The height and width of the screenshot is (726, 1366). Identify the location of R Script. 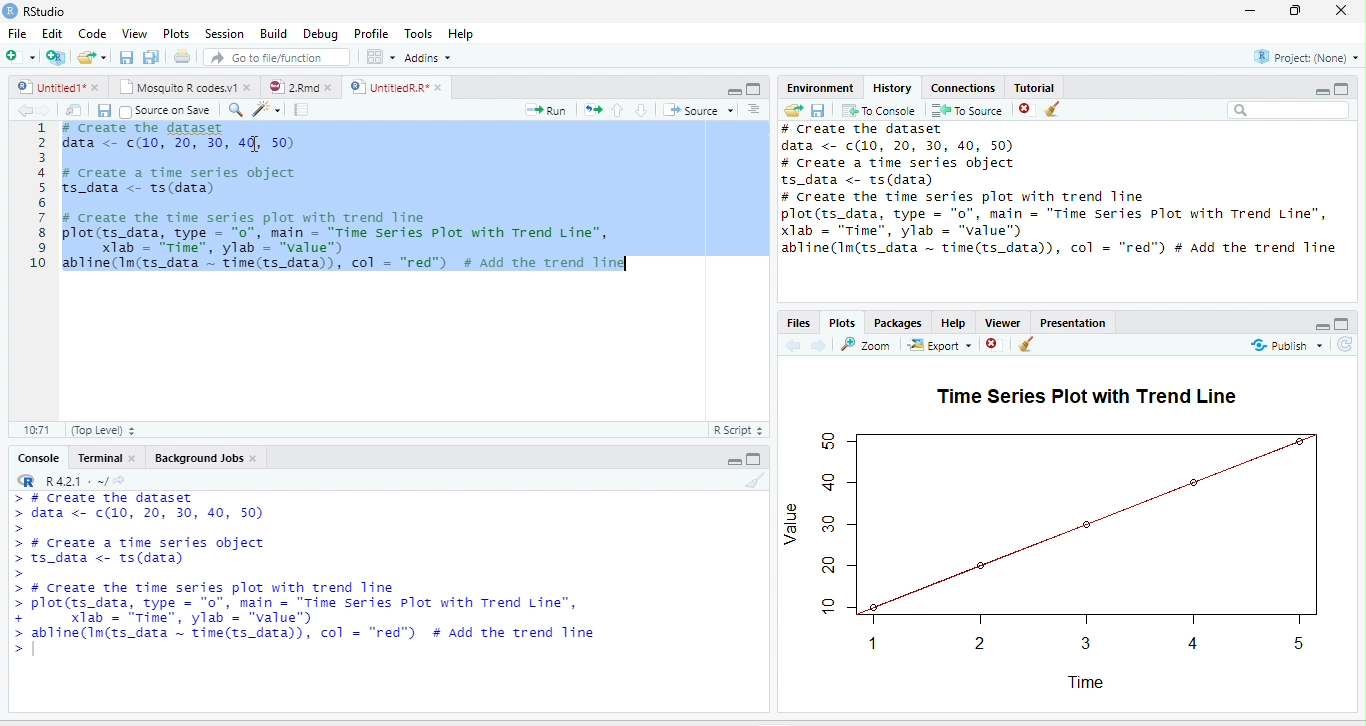
(739, 430).